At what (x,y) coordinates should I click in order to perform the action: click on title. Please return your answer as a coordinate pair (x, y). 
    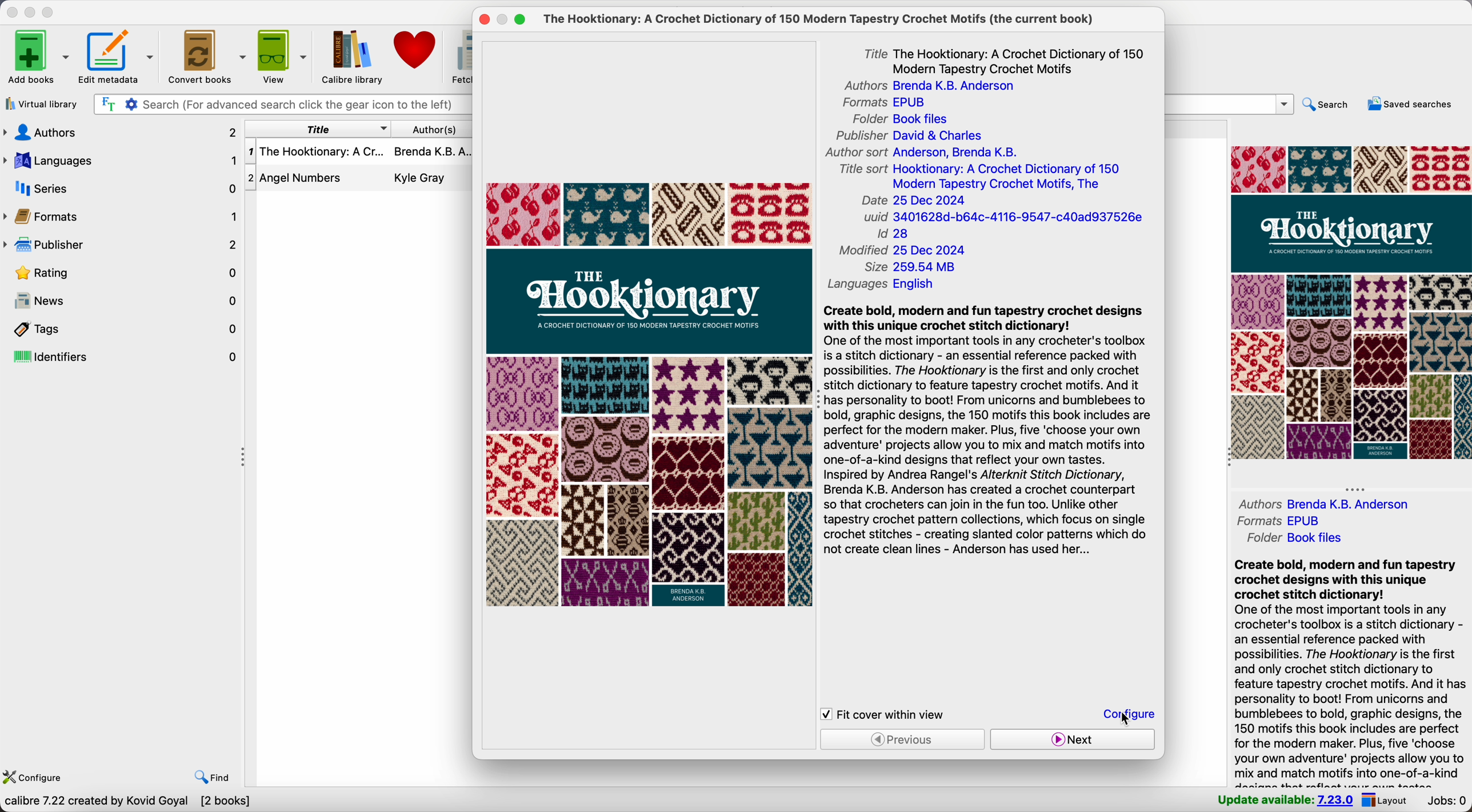
    Looking at the image, I should click on (317, 130).